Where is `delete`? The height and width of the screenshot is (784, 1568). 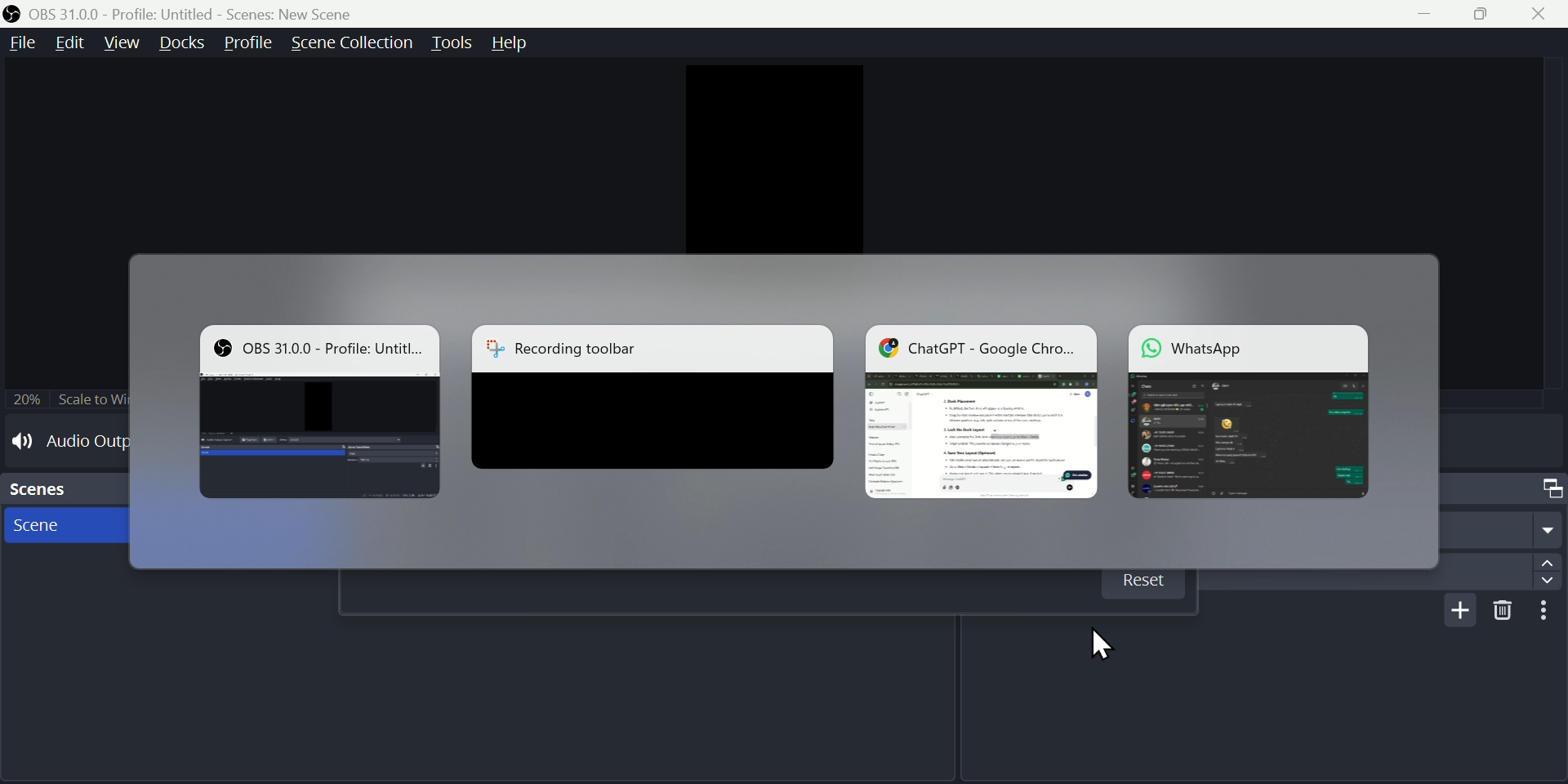 delete is located at coordinates (1505, 612).